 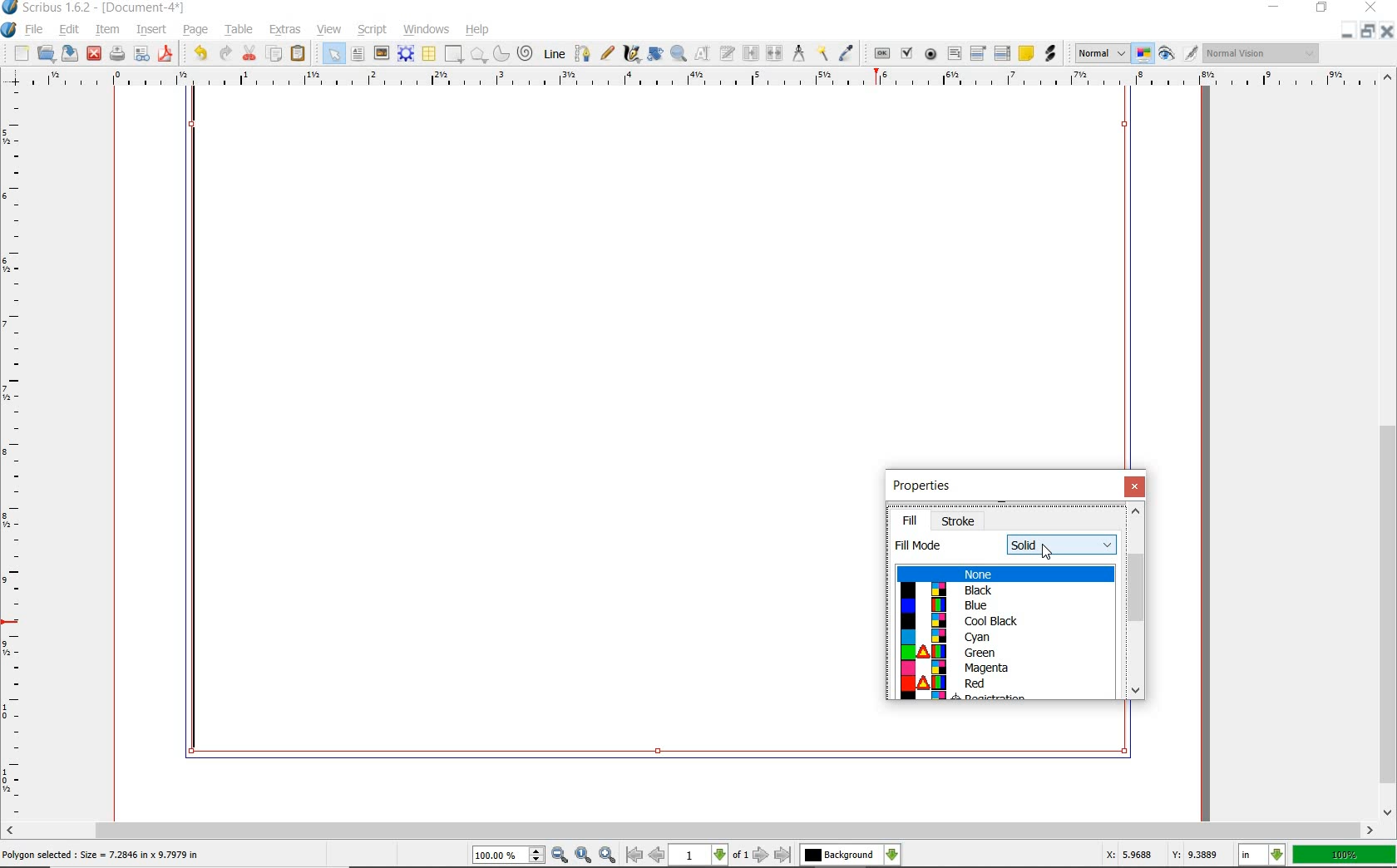 What do you see at coordinates (1344, 855) in the screenshot?
I see `100%` at bounding box center [1344, 855].